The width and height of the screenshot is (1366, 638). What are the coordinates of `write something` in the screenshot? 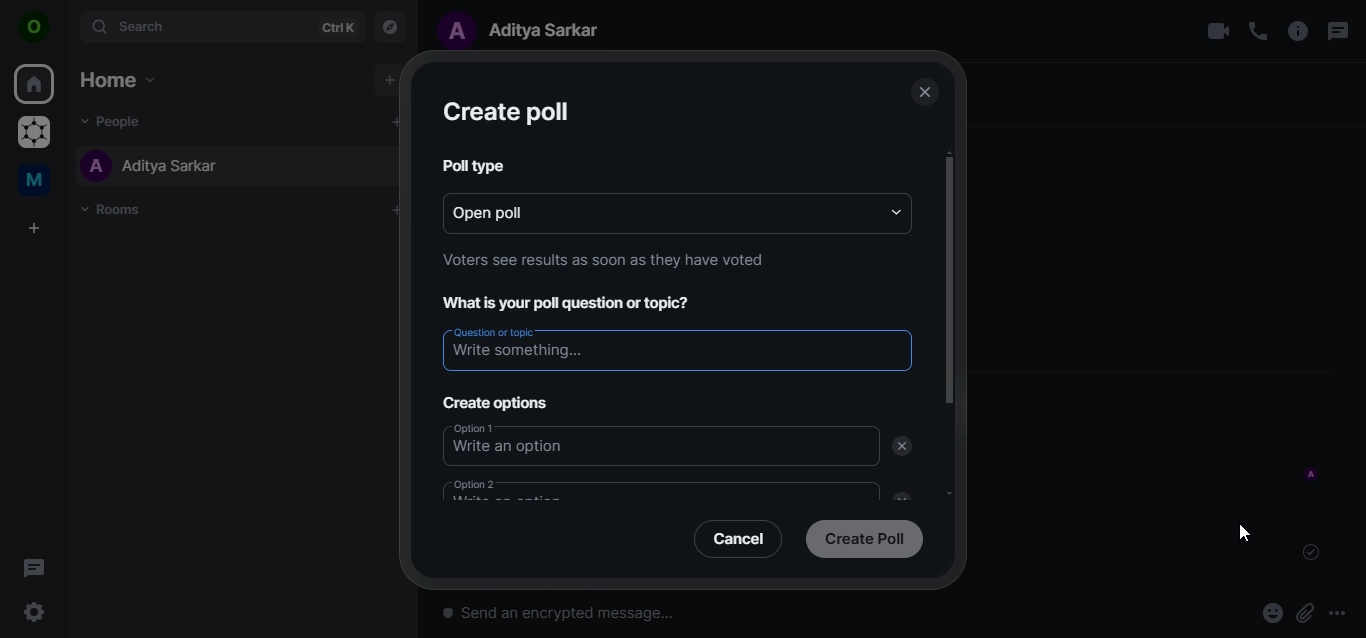 It's located at (576, 347).